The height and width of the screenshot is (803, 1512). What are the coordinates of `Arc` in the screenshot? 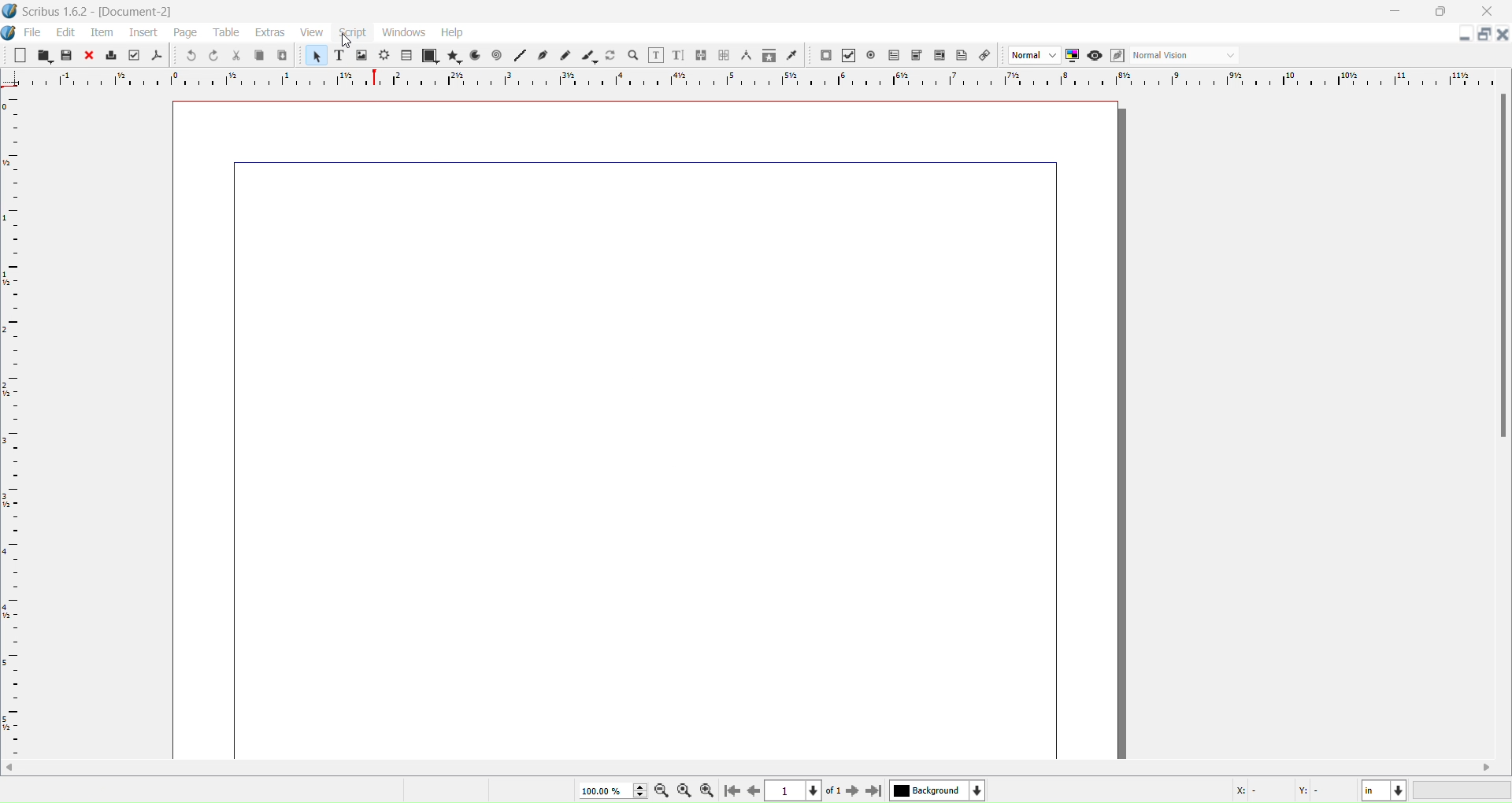 It's located at (473, 56).